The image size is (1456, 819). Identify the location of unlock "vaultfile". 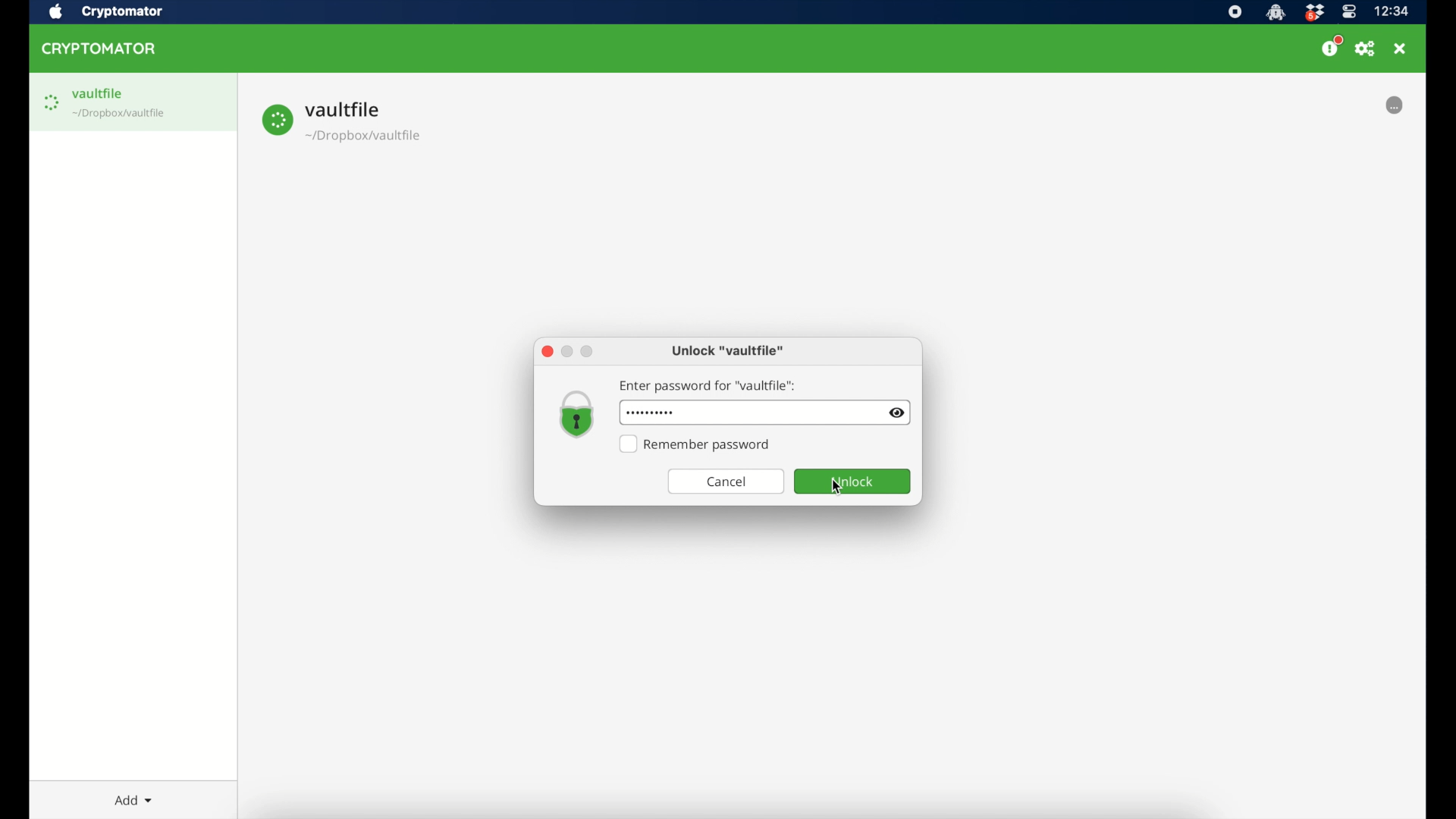
(729, 351).